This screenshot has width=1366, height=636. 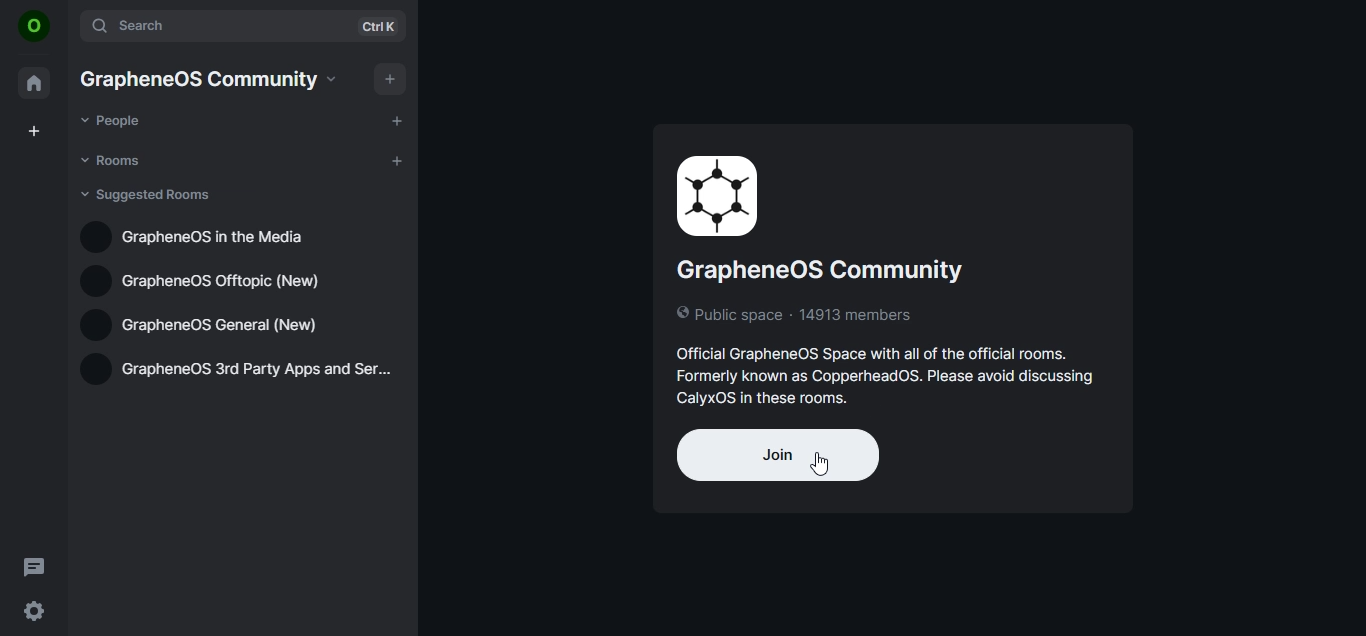 I want to click on GrapheneOS general, so click(x=201, y=324).